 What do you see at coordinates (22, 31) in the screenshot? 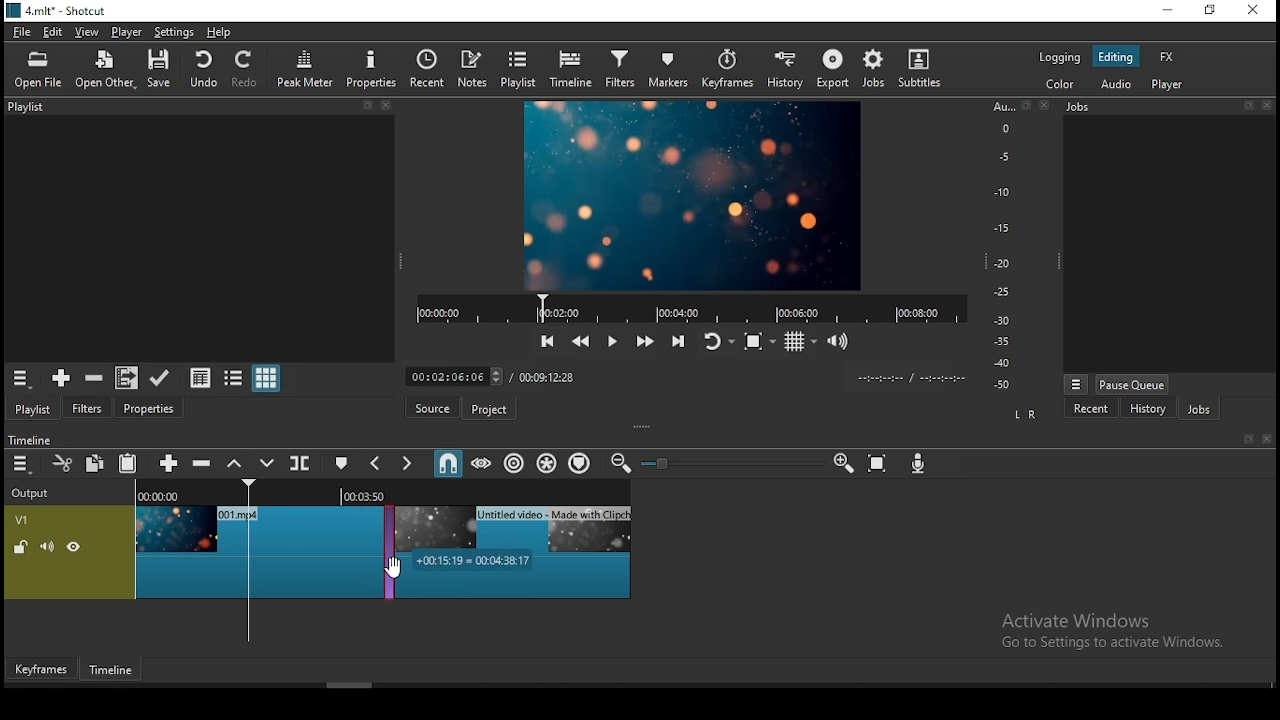
I see `file` at bounding box center [22, 31].